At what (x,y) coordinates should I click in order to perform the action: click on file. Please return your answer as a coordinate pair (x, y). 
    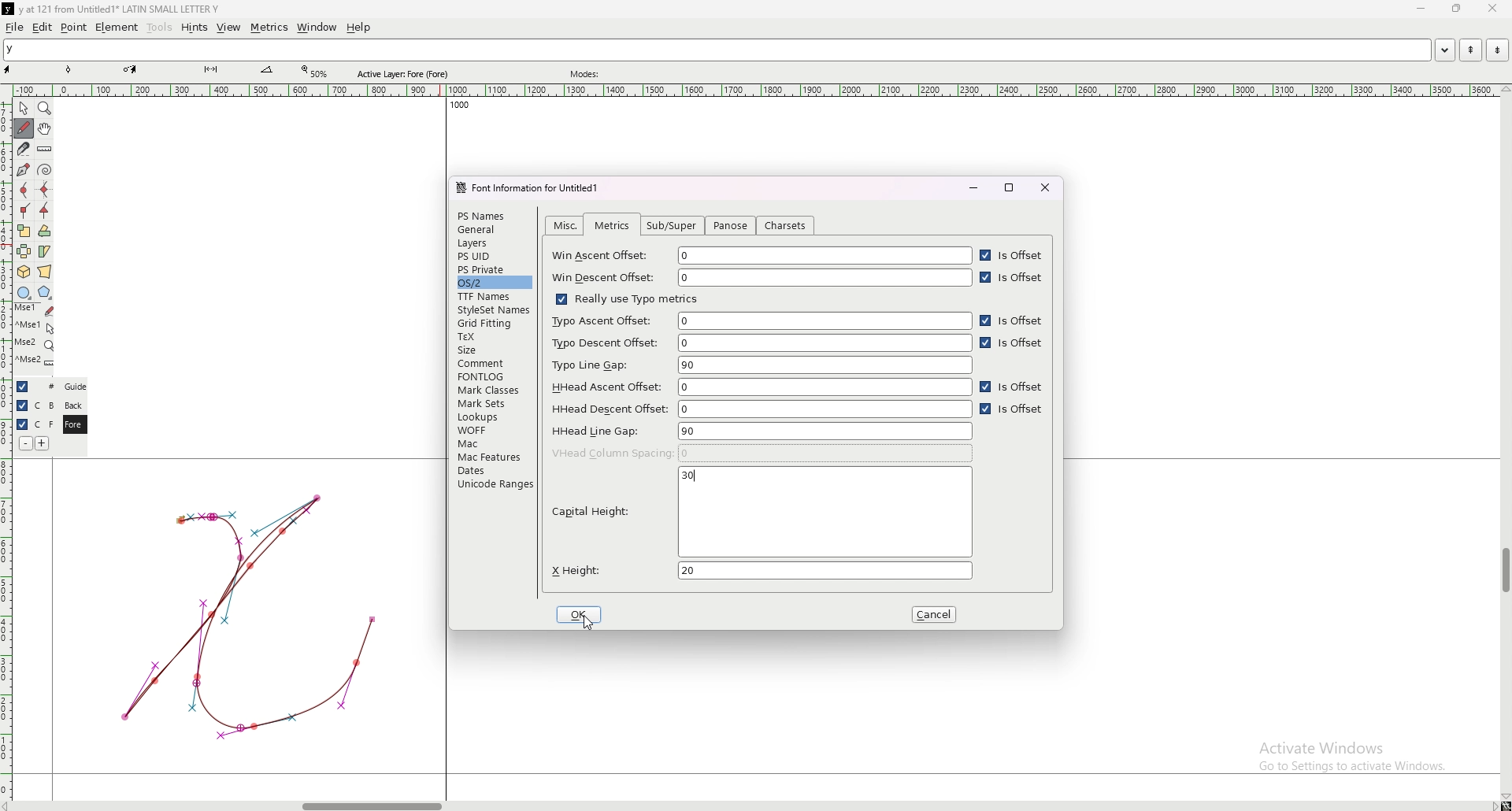
    Looking at the image, I should click on (15, 27).